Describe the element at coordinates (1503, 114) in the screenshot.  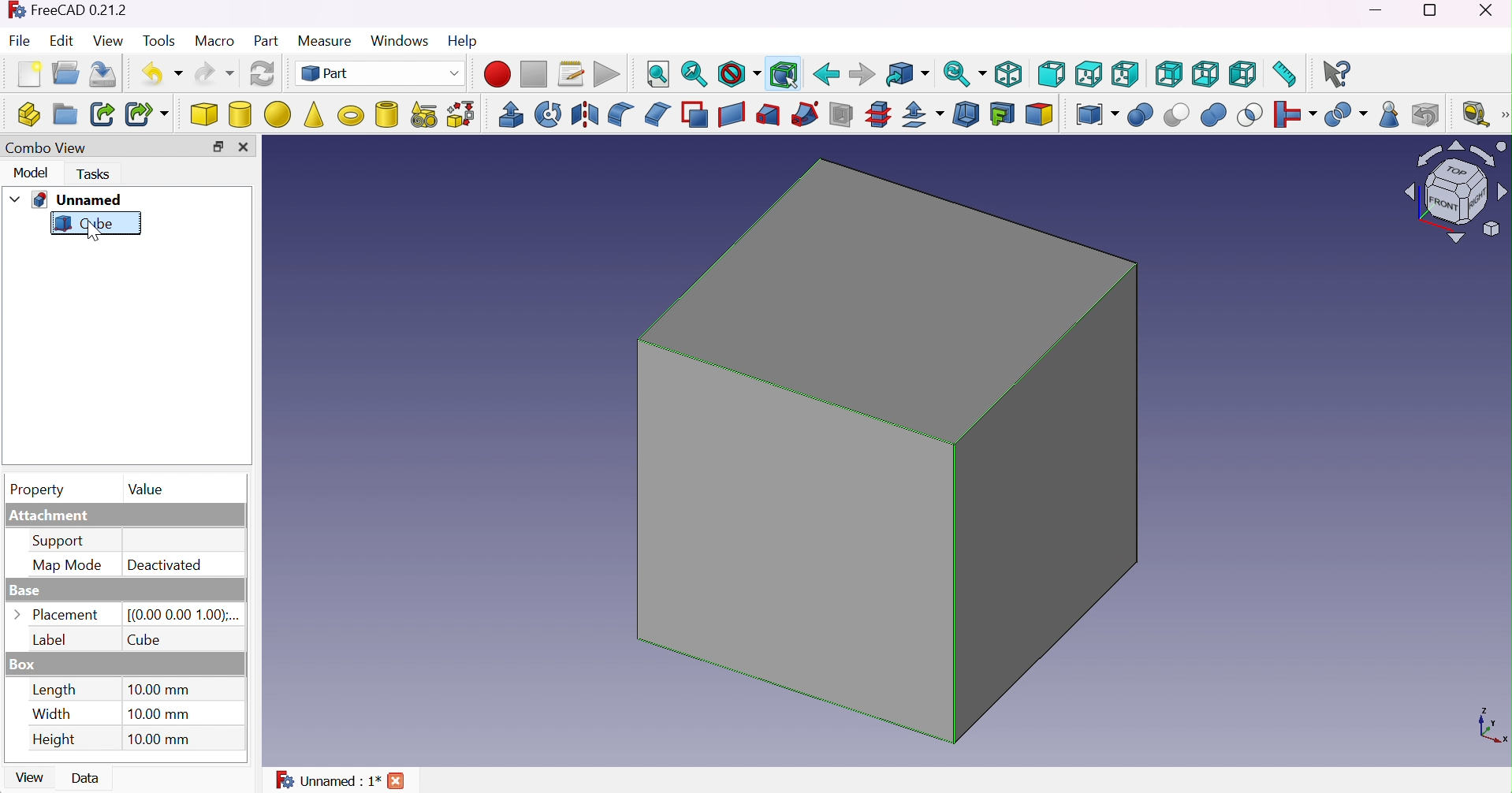
I see `[Measure]` at that location.